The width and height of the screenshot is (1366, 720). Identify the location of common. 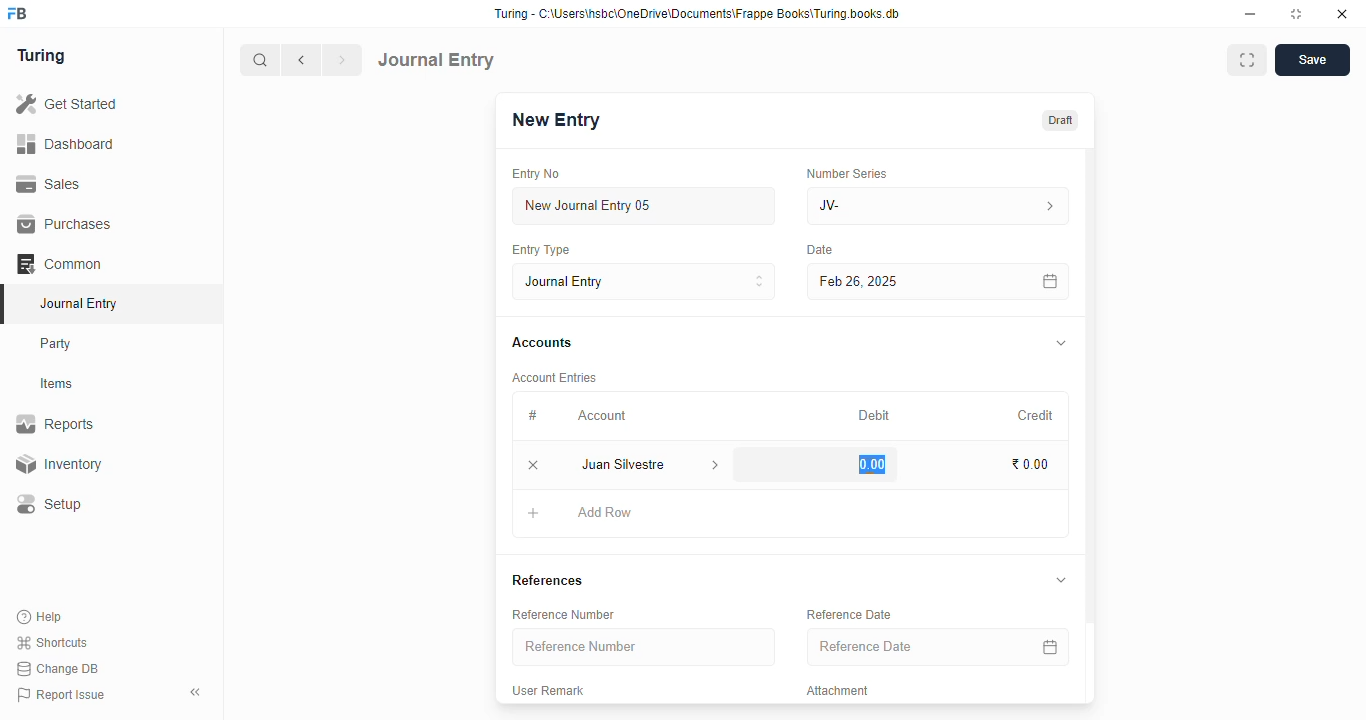
(61, 264).